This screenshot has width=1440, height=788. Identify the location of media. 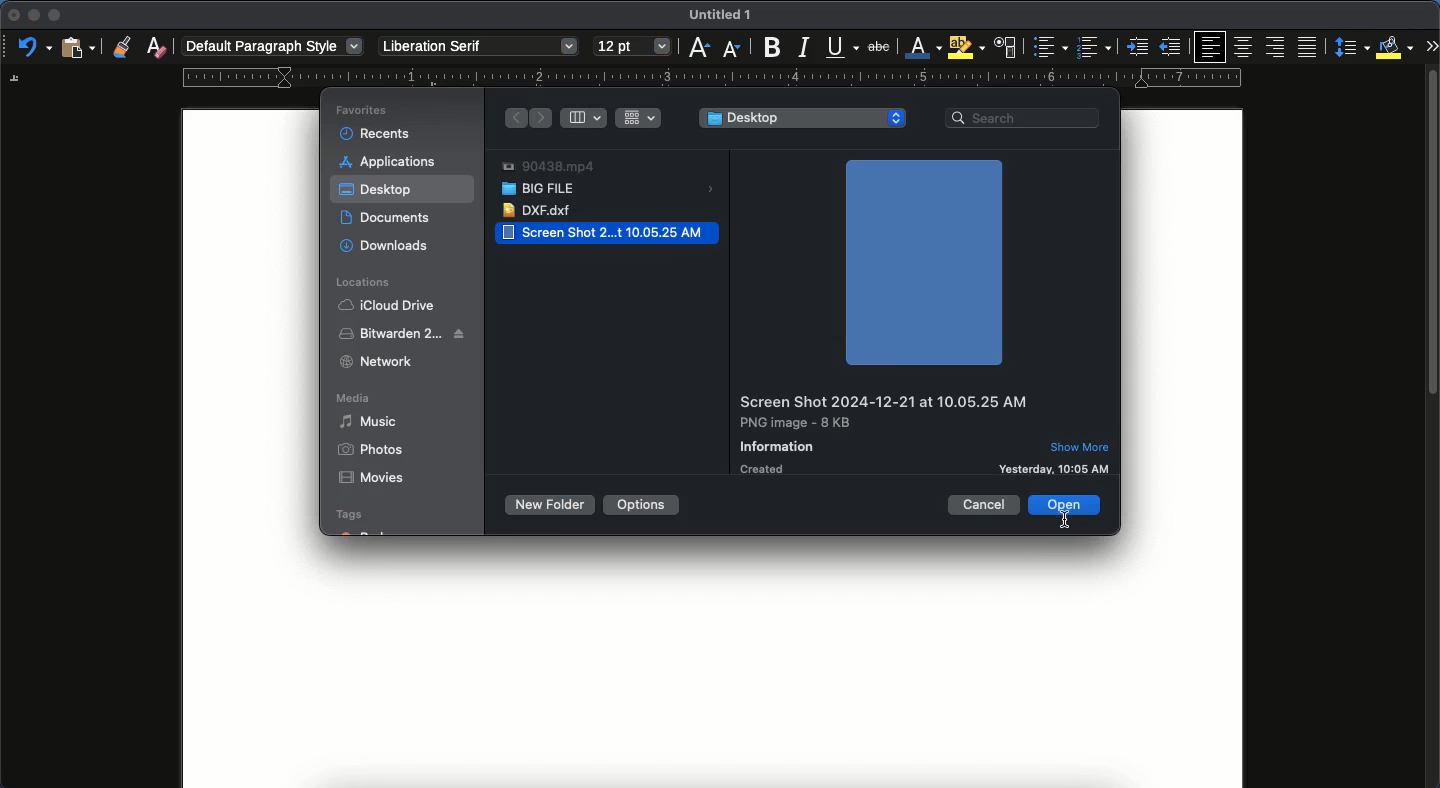
(357, 400).